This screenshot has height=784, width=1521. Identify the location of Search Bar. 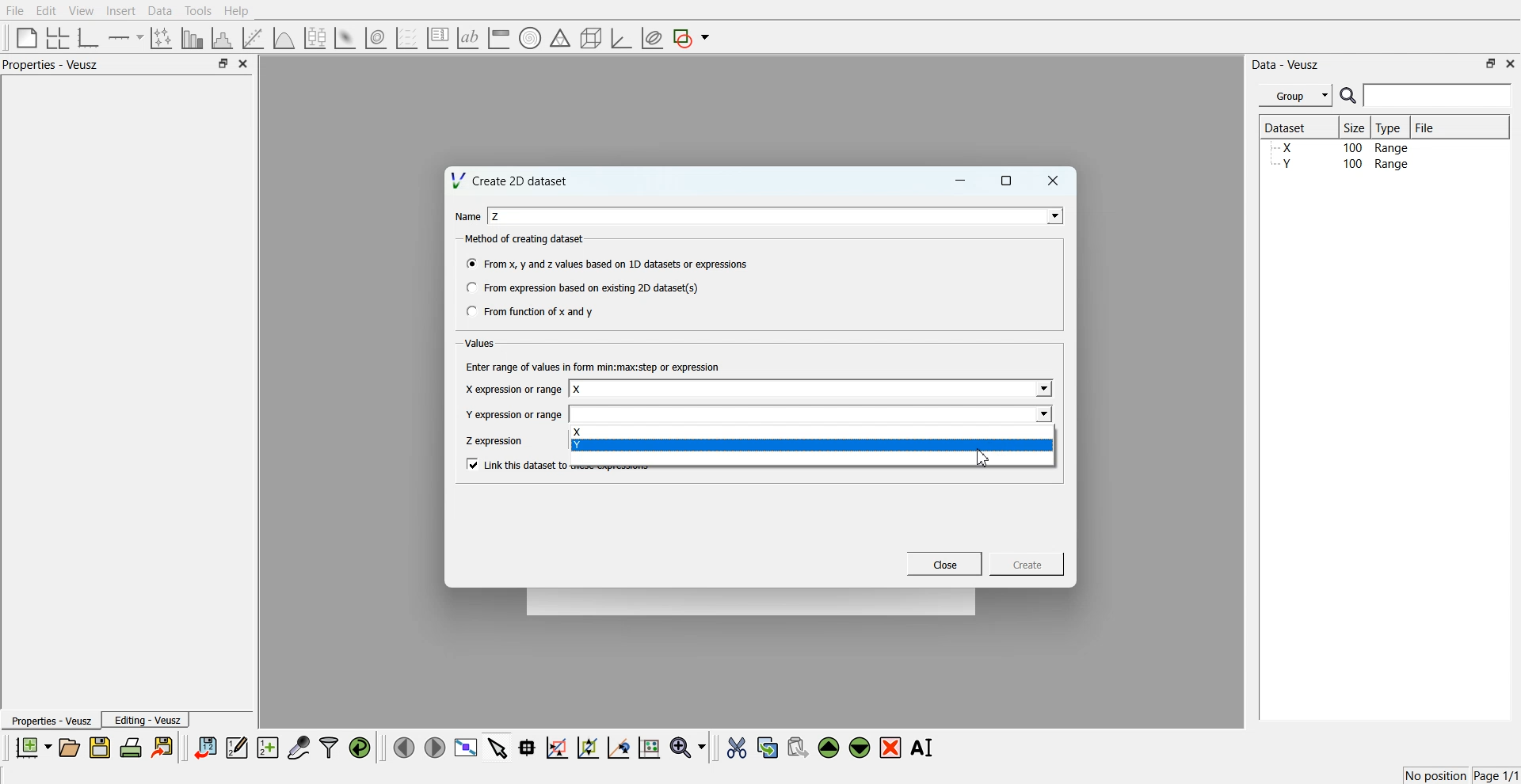
(1427, 95).